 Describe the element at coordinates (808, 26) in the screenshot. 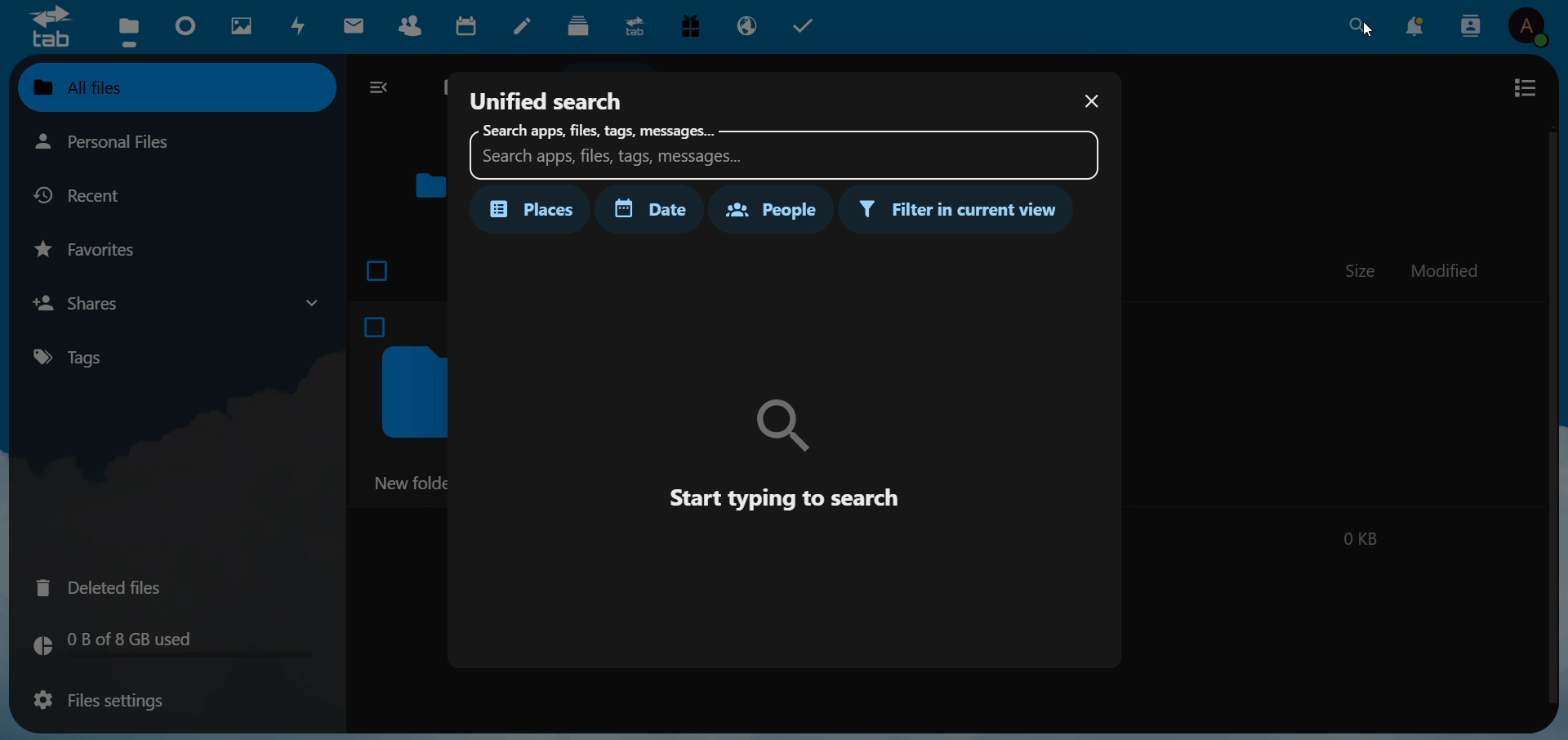

I see `task` at that location.